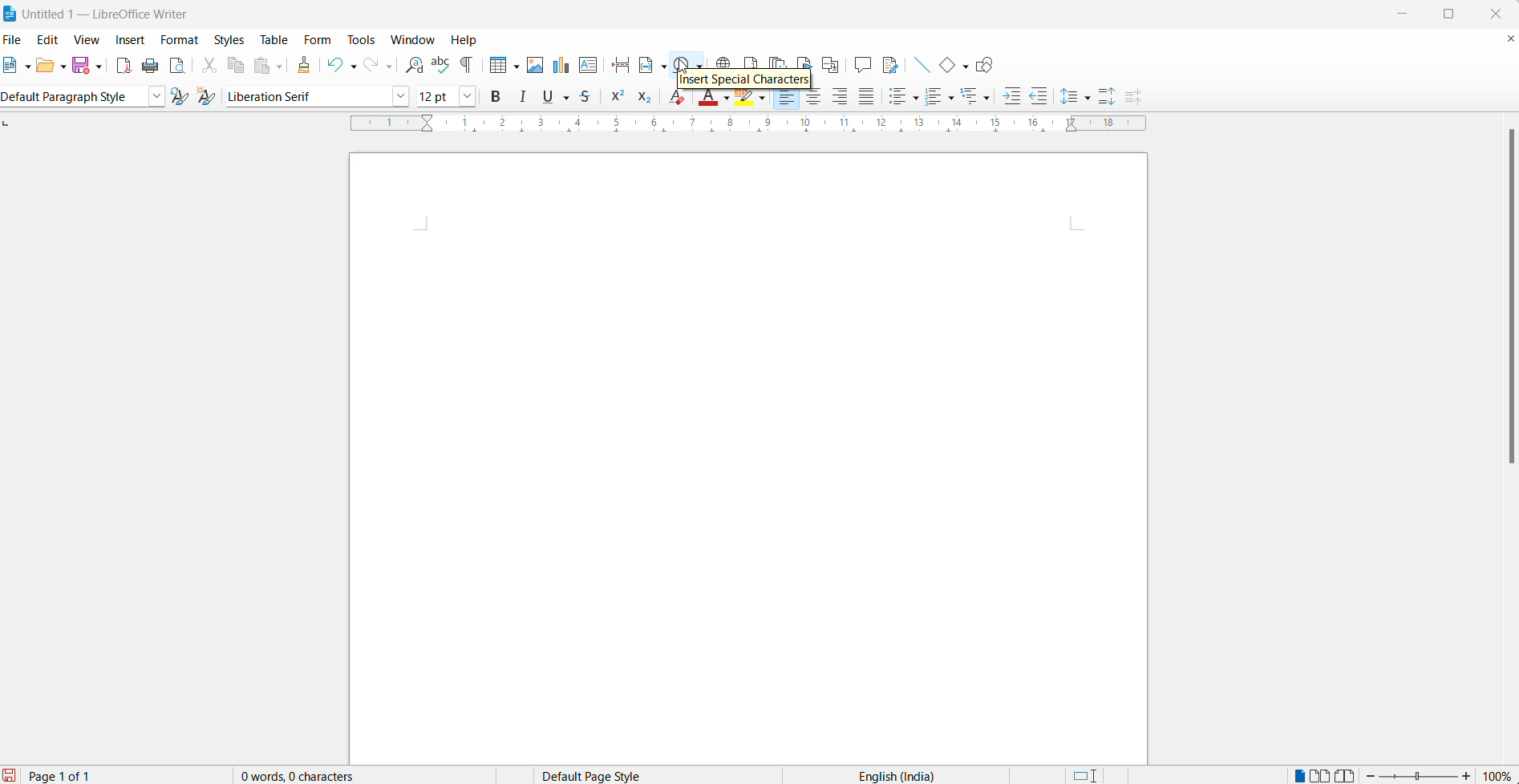 The image size is (1519, 784). What do you see at coordinates (233, 68) in the screenshot?
I see `copy` at bounding box center [233, 68].